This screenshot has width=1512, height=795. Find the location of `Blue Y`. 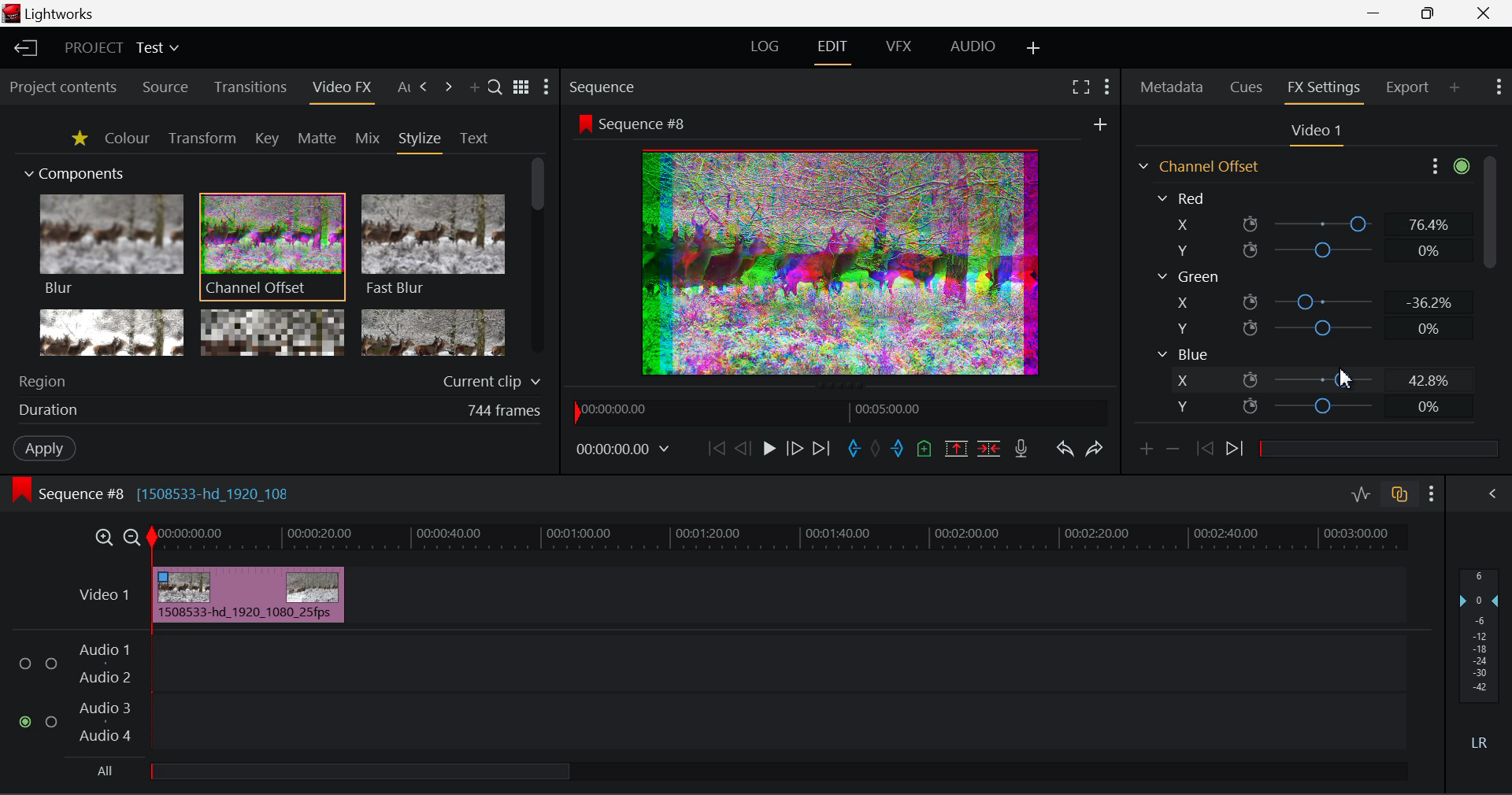

Blue Y is located at coordinates (1313, 405).